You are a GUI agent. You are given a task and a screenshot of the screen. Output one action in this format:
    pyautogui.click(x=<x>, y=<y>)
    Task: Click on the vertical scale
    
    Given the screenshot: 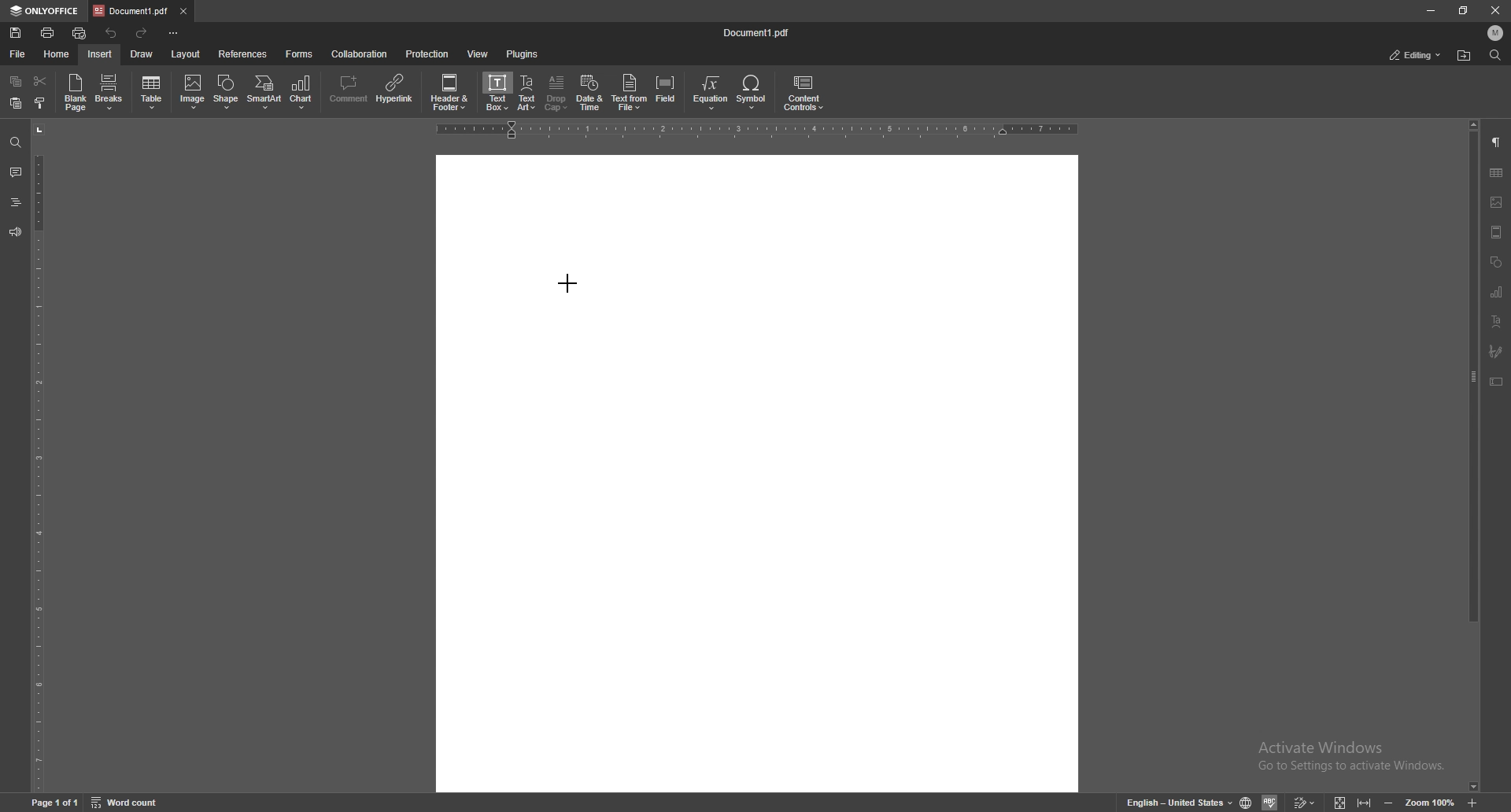 What is the action you would take?
    pyautogui.click(x=38, y=457)
    